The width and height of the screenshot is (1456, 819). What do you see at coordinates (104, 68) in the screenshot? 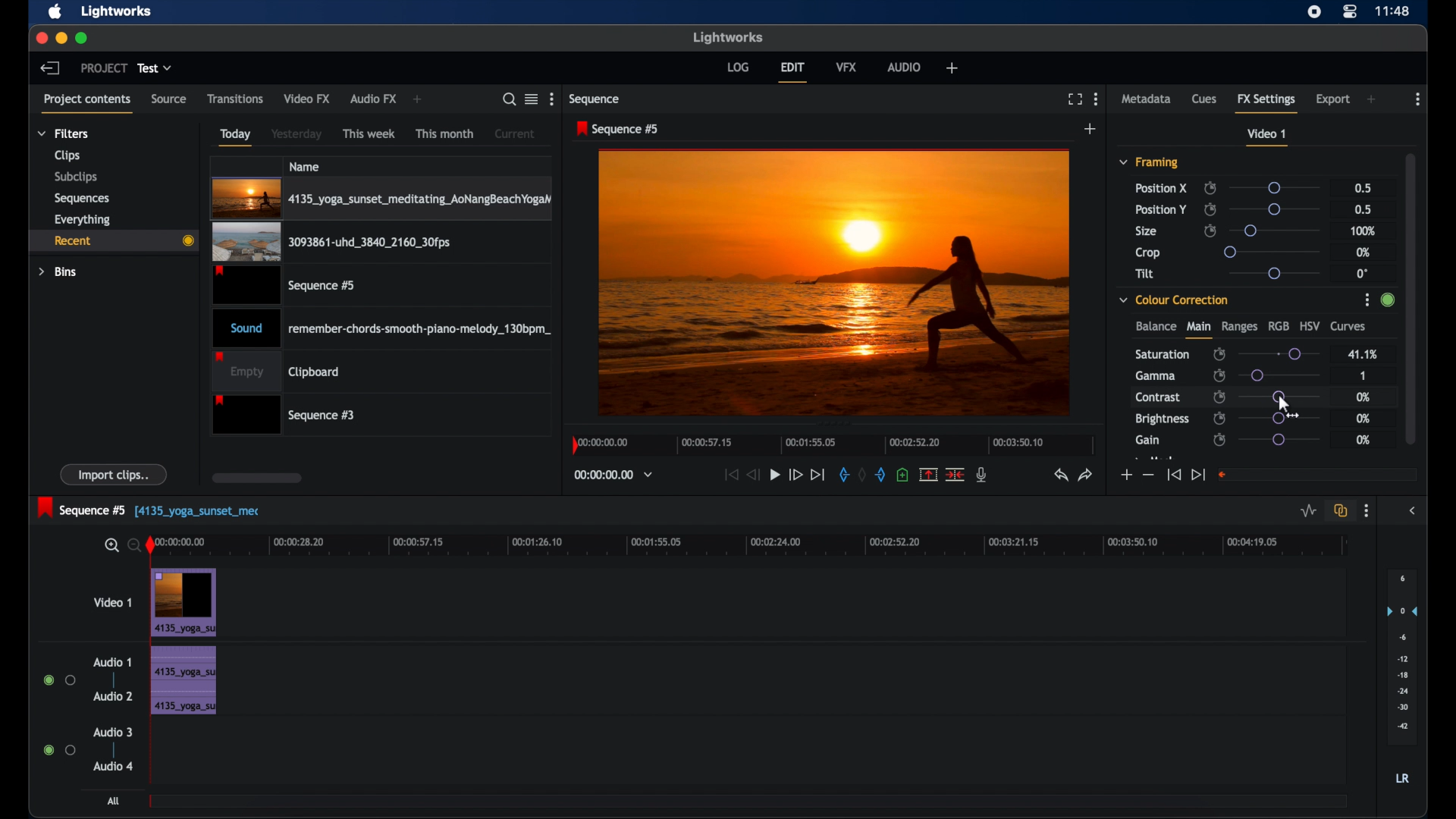
I see `project` at bounding box center [104, 68].